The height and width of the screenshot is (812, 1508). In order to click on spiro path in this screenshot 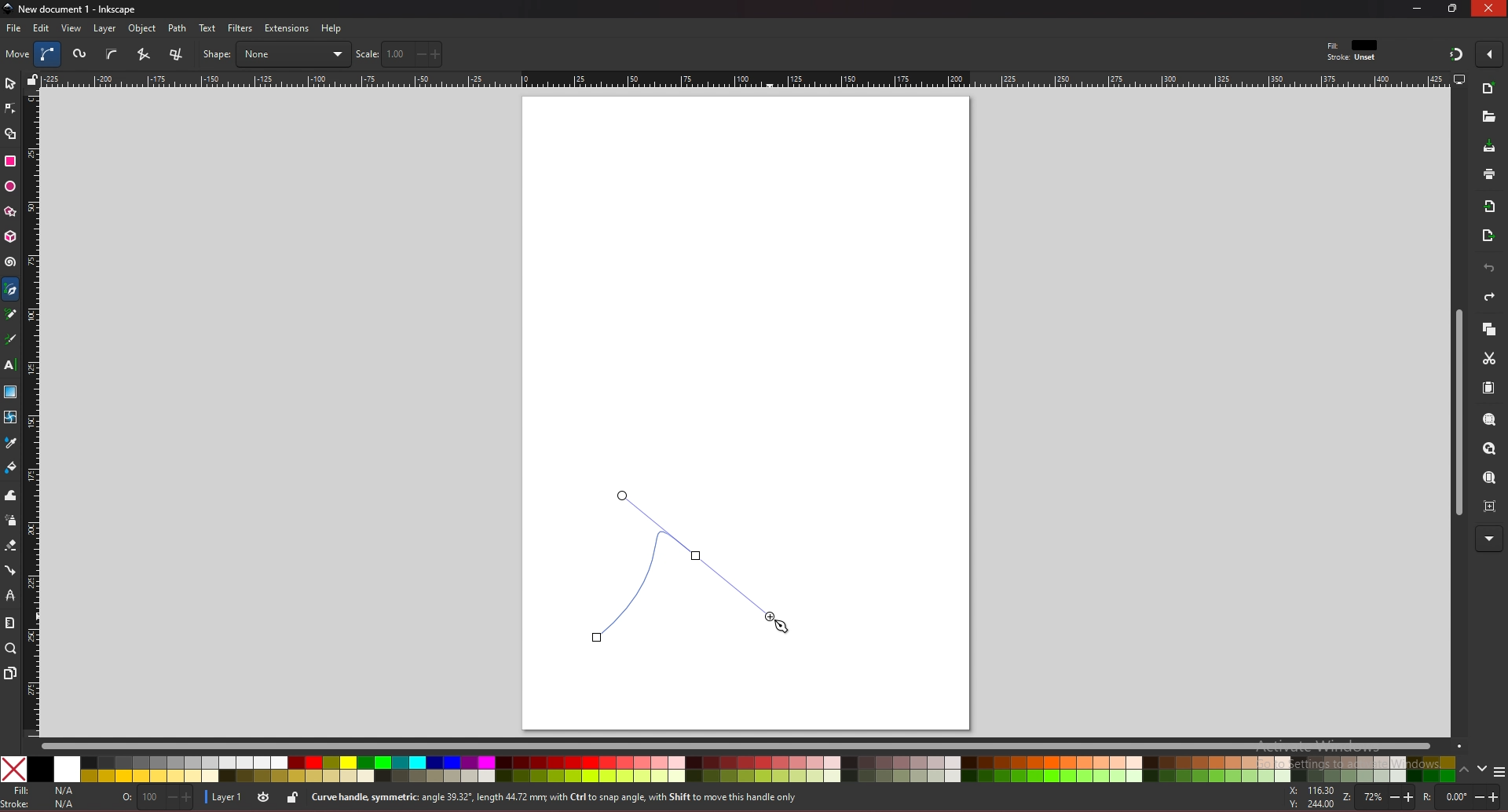, I will do `click(81, 55)`.